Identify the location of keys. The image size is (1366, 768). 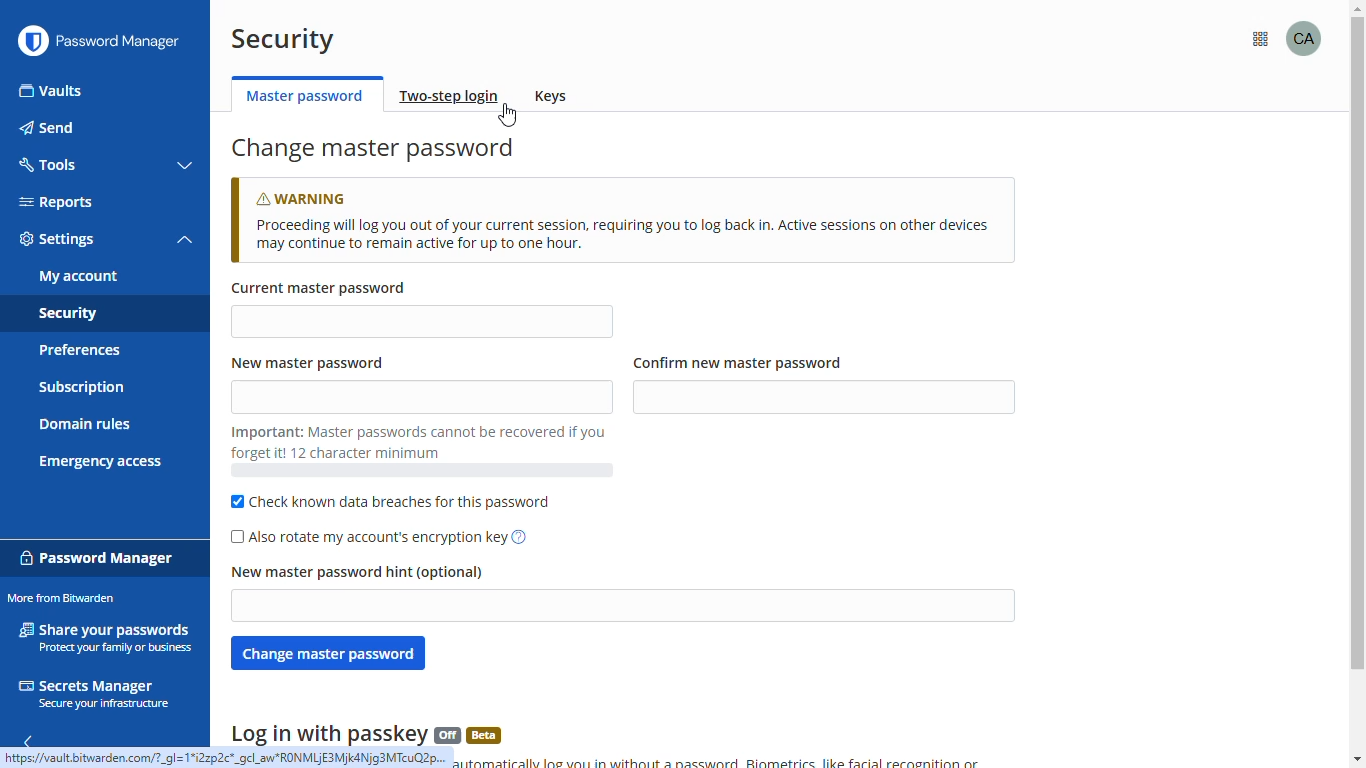
(557, 97).